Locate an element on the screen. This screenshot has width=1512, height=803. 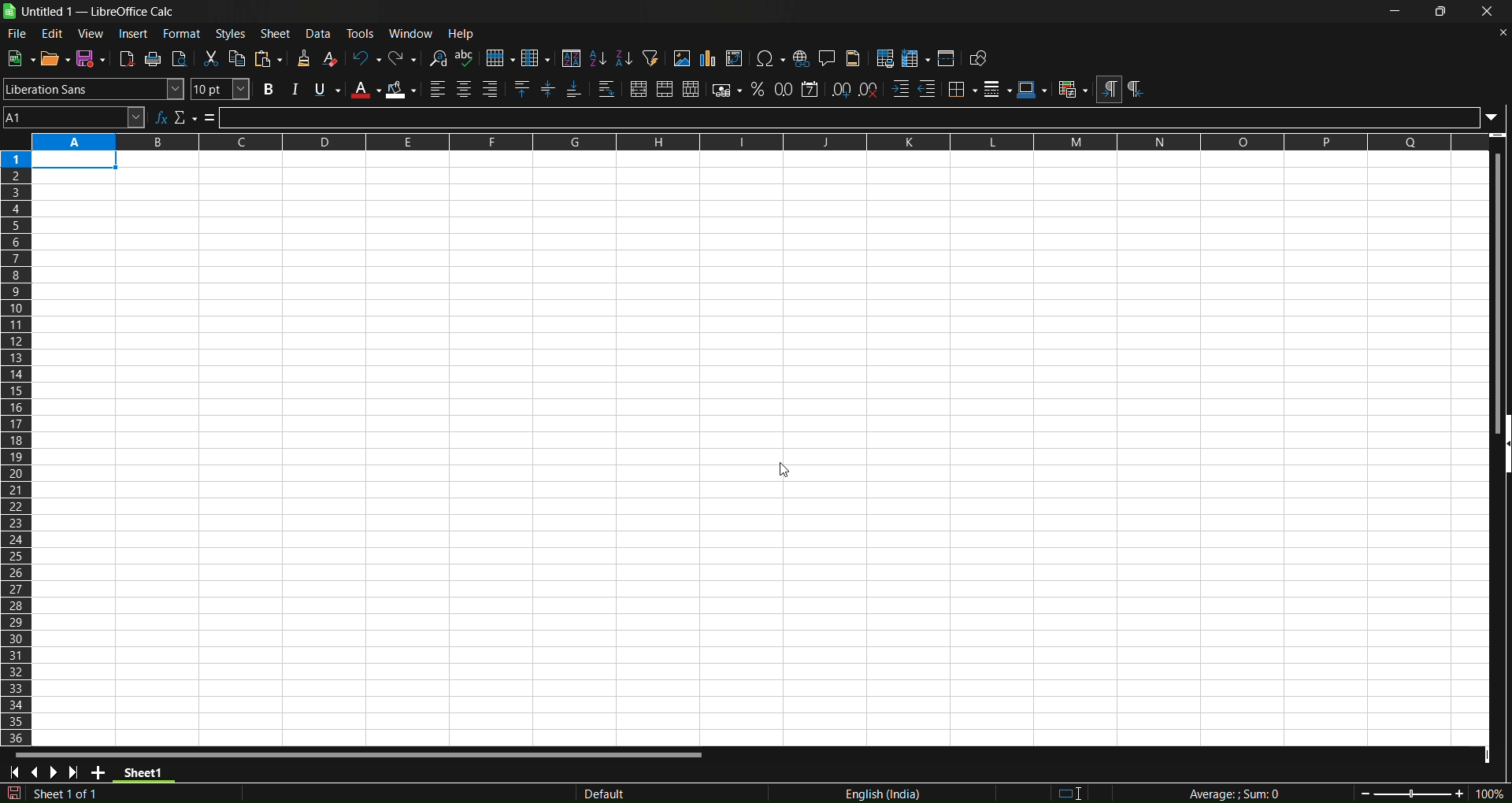
formula is located at coordinates (1220, 794).